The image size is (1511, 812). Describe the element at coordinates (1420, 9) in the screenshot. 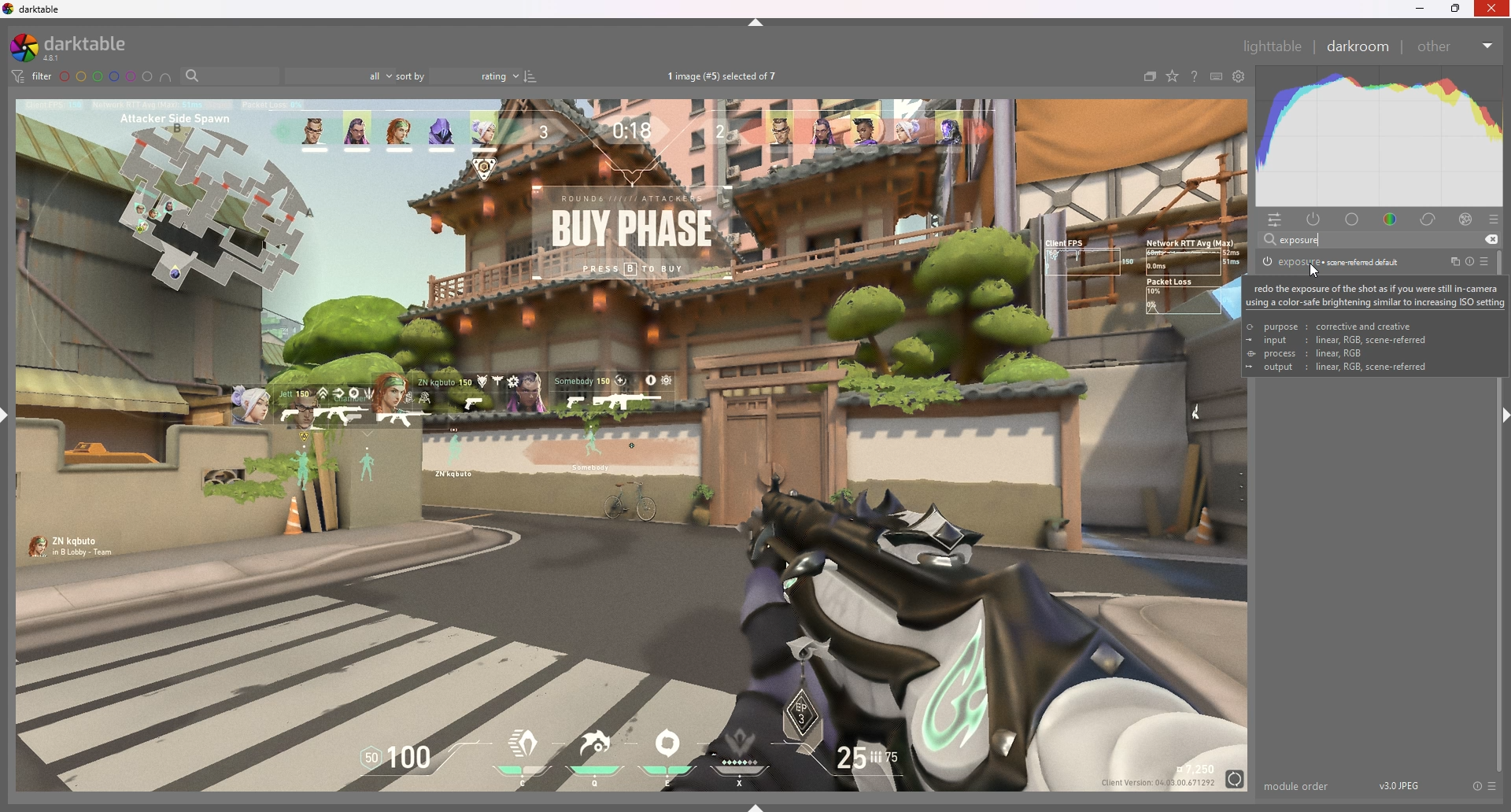

I see `minimize` at that location.